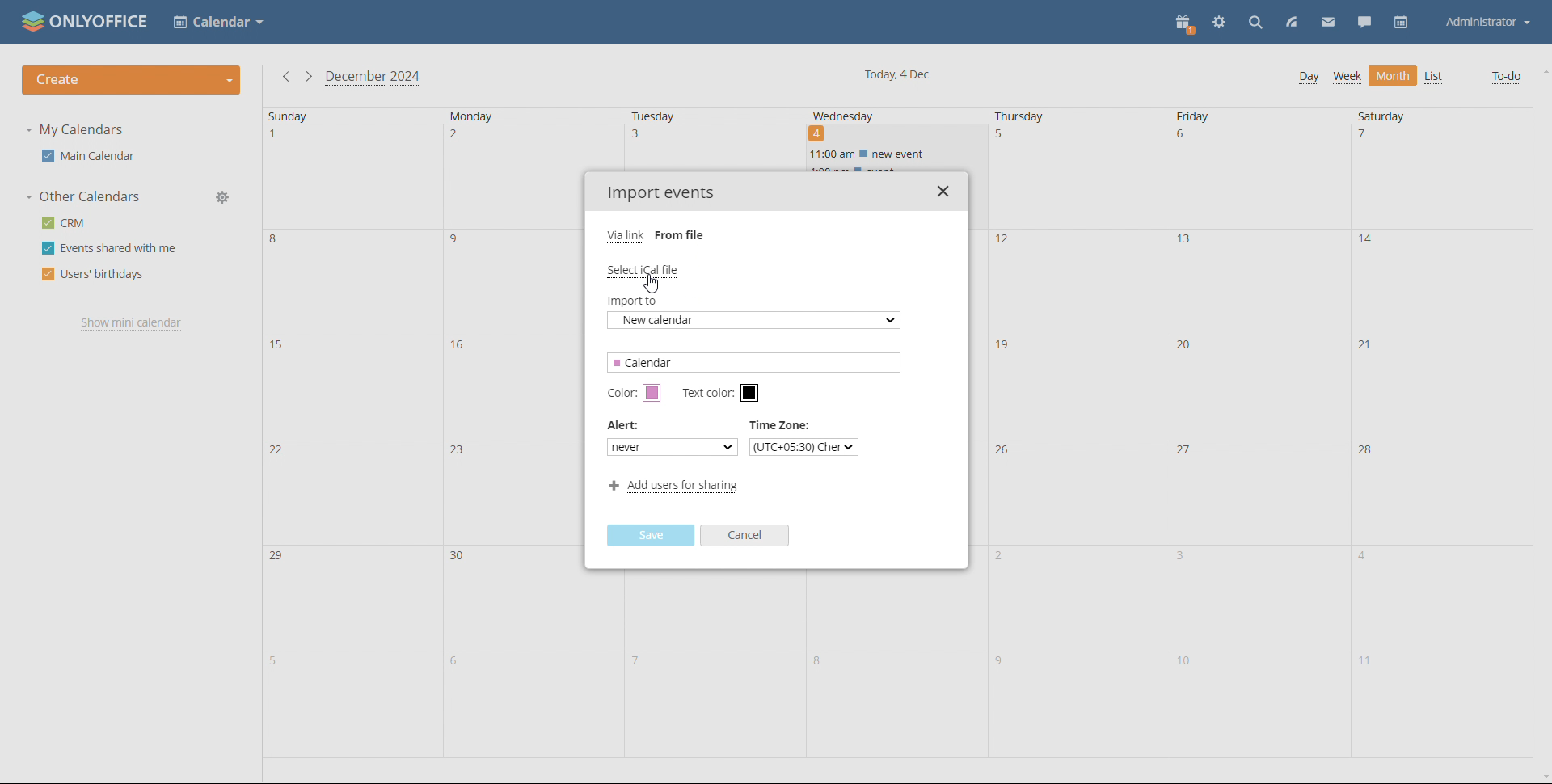 The image size is (1552, 784). I want to click on time zone:, so click(782, 424).